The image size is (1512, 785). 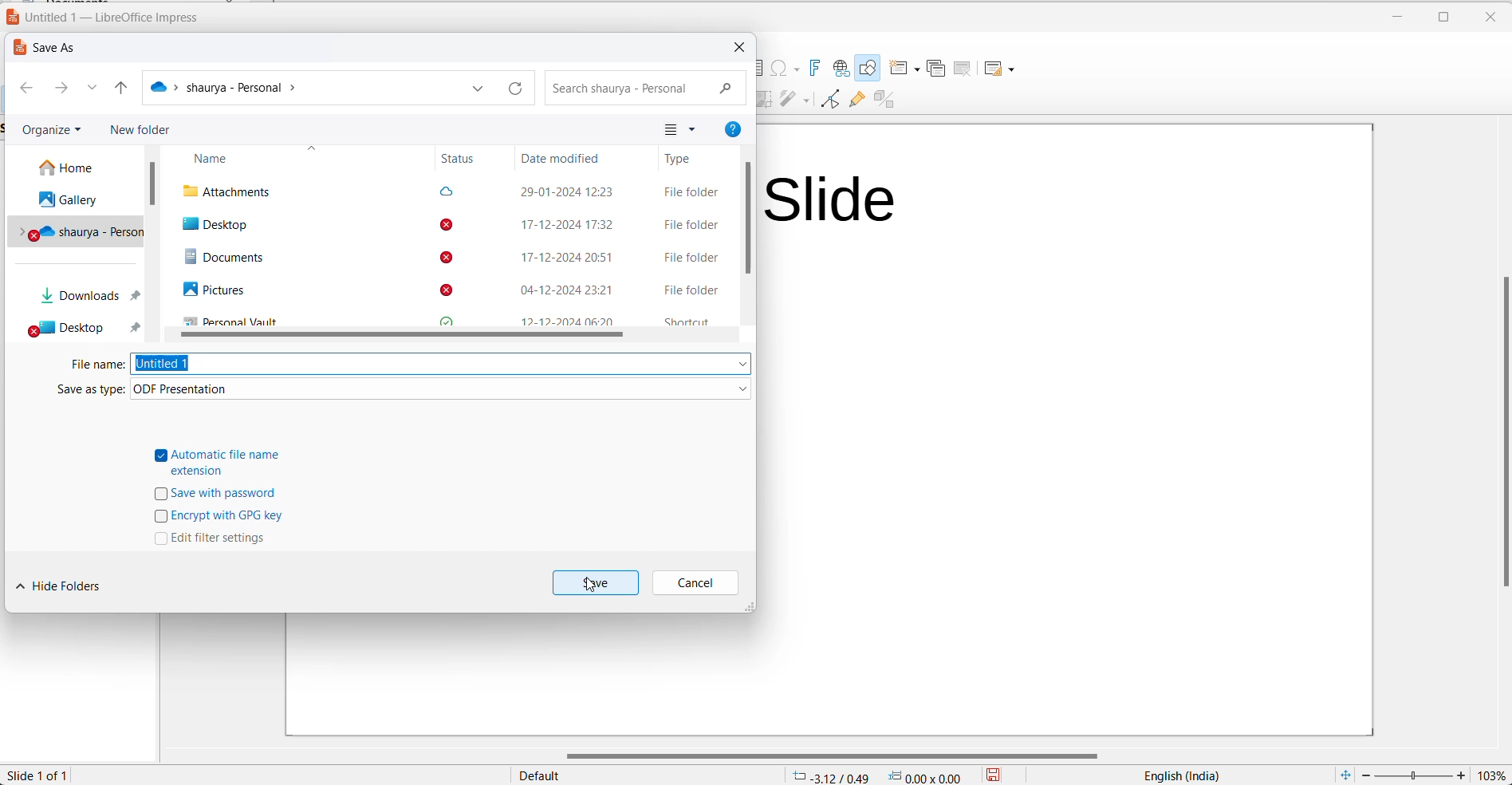 What do you see at coordinates (50, 131) in the screenshot?
I see `organize` at bounding box center [50, 131].